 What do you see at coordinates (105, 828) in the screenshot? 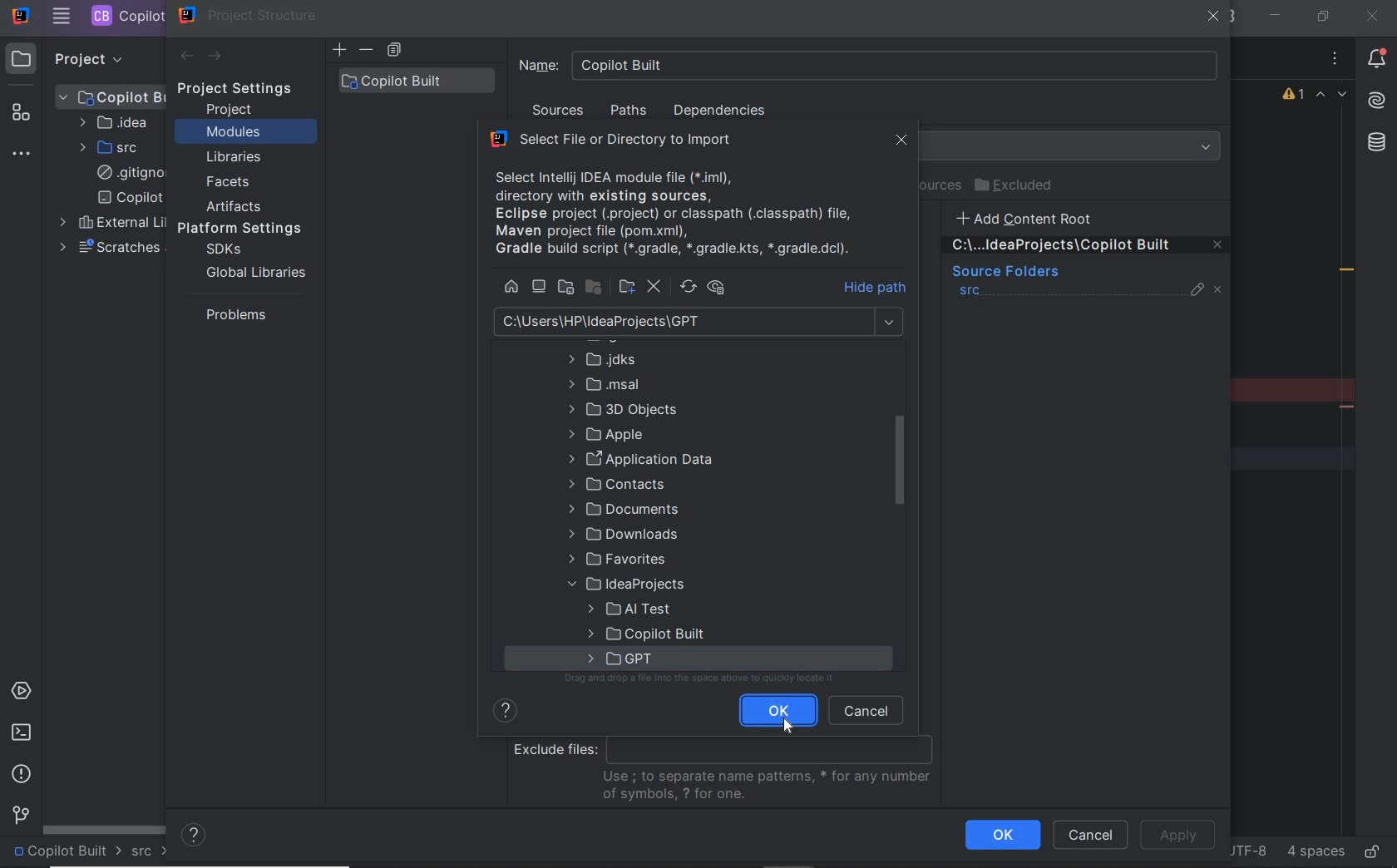
I see `scrollbar` at bounding box center [105, 828].